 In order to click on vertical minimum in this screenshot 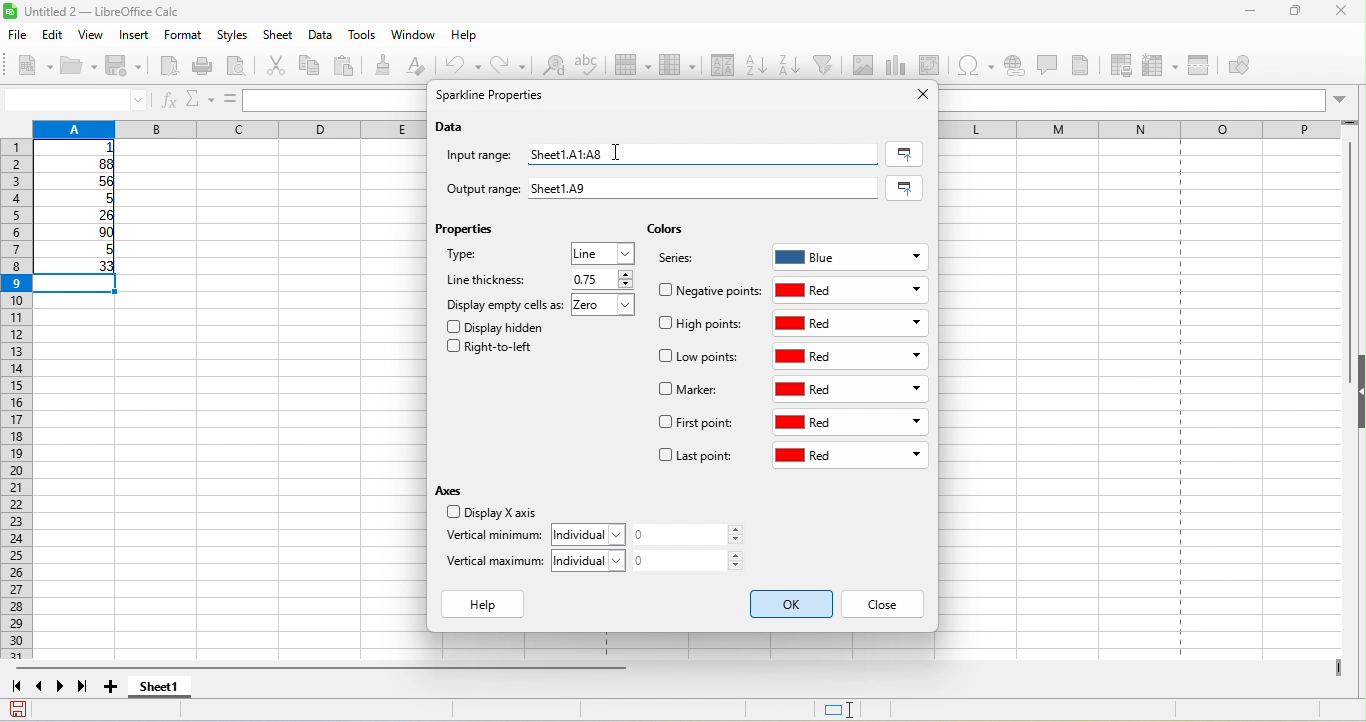, I will do `click(493, 537)`.